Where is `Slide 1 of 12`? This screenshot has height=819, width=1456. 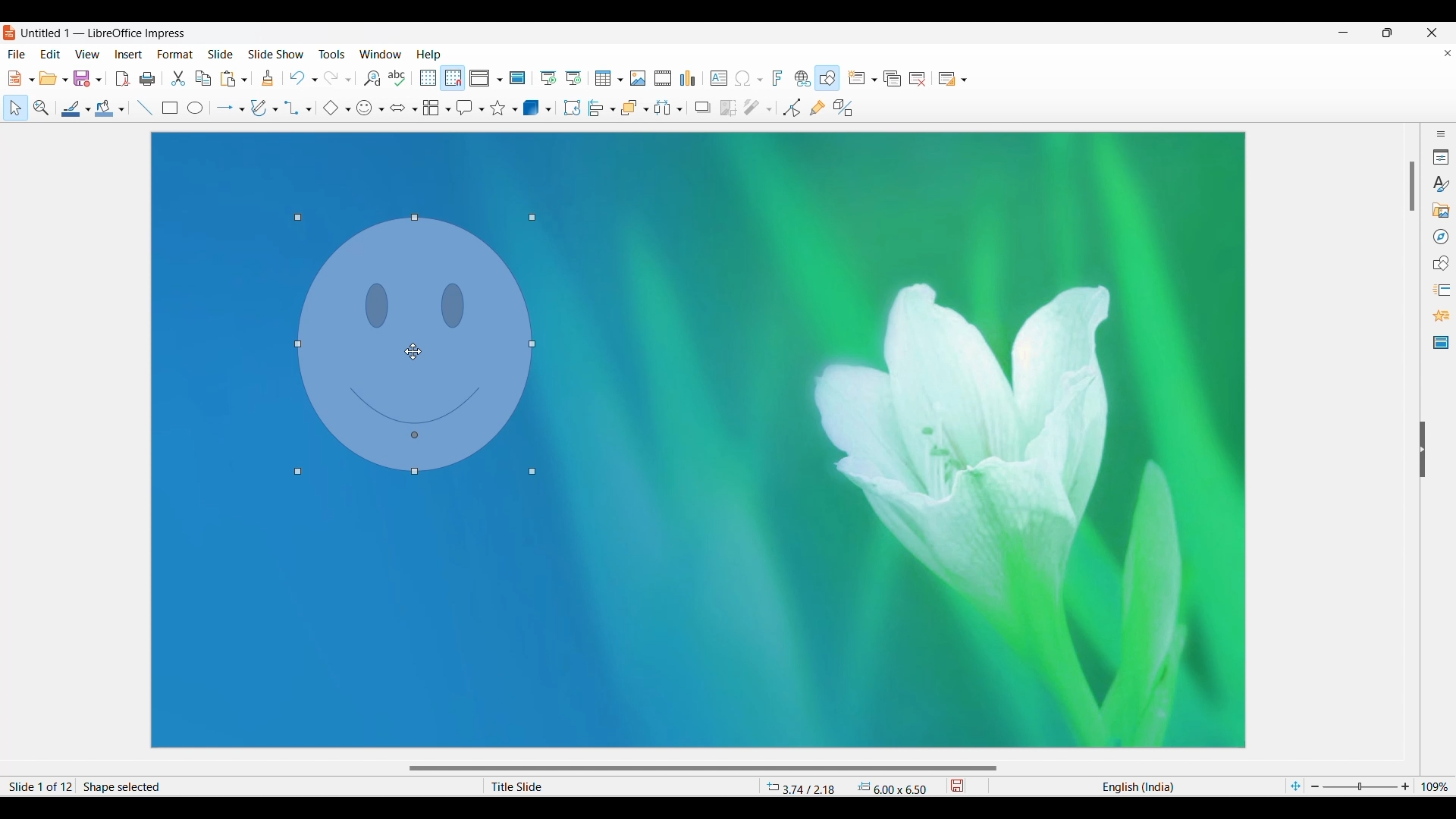
Slide 1 of 12 is located at coordinates (38, 786).